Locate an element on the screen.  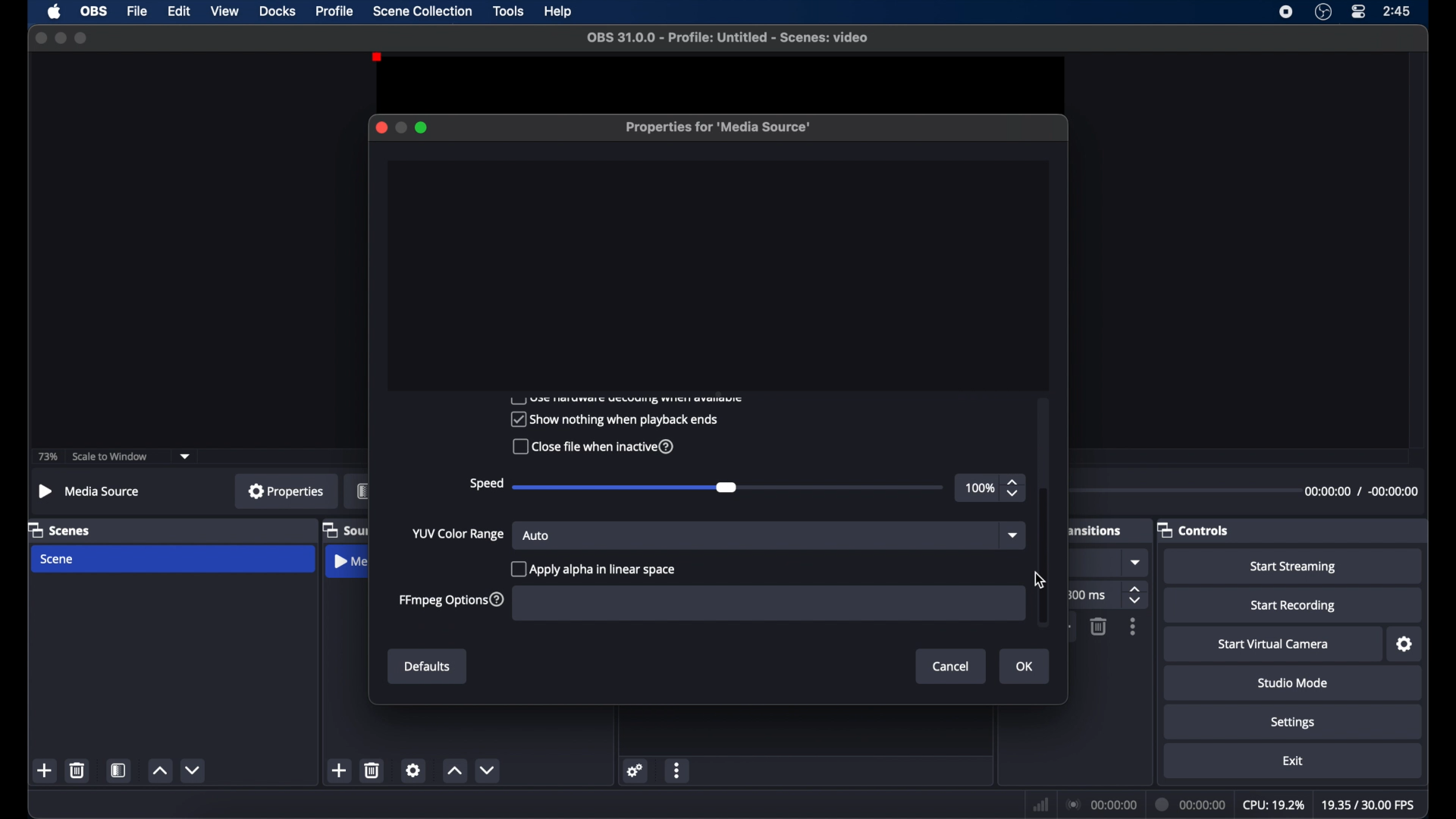
minimize is located at coordinates (400, 127).